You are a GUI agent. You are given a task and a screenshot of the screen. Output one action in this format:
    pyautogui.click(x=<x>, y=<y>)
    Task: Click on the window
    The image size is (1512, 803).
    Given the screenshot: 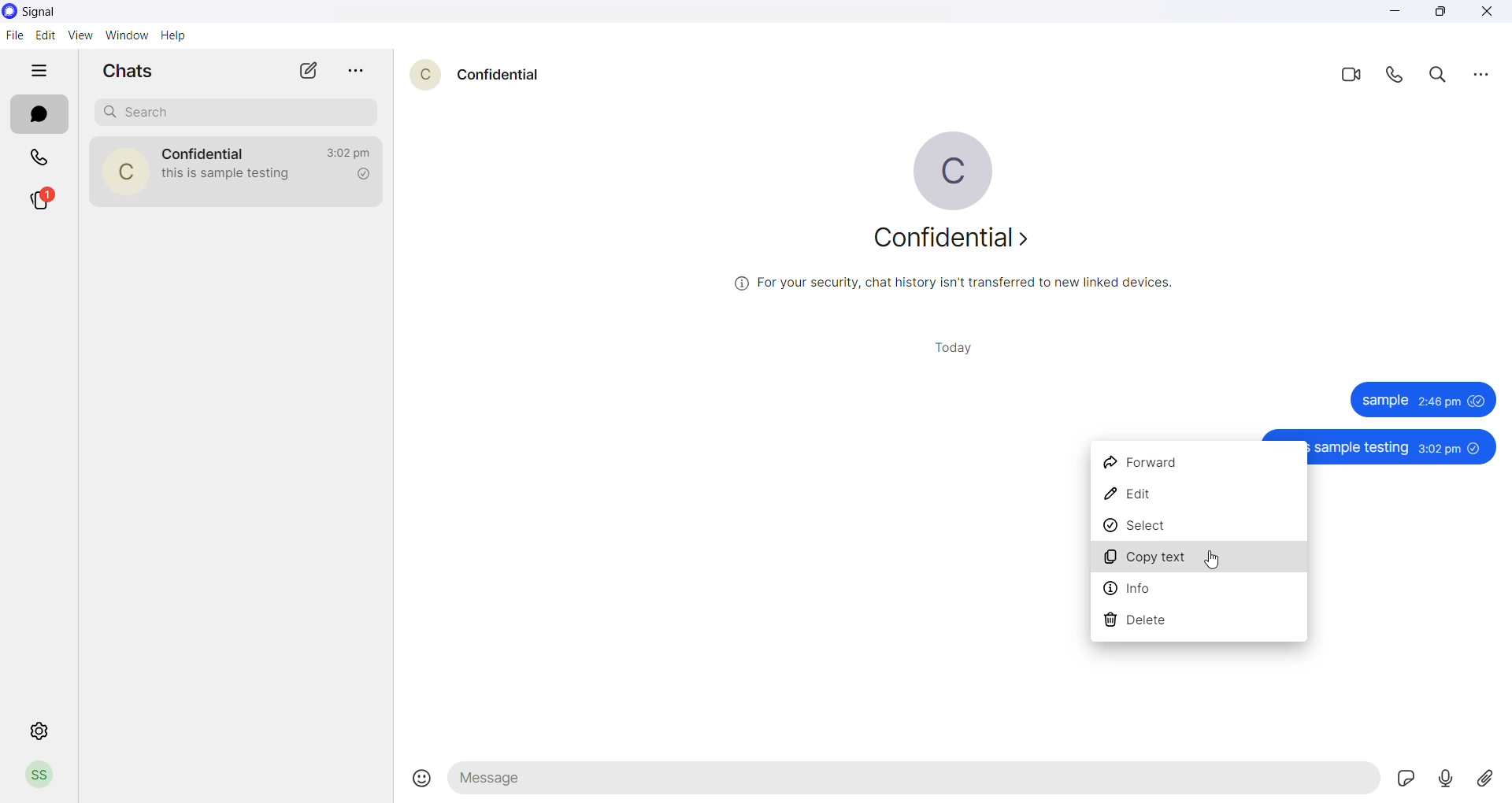 What is the action you would take?
    pyautogui.click(x=128, y=34)
    